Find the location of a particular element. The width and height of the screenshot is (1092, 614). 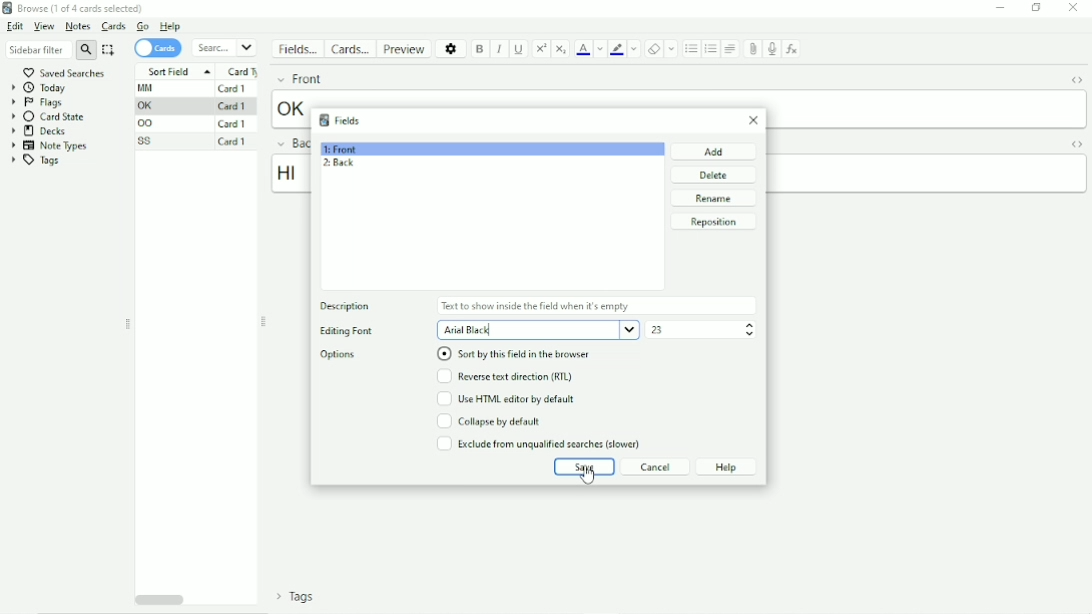

cursor is located at coordinates (588, 478).